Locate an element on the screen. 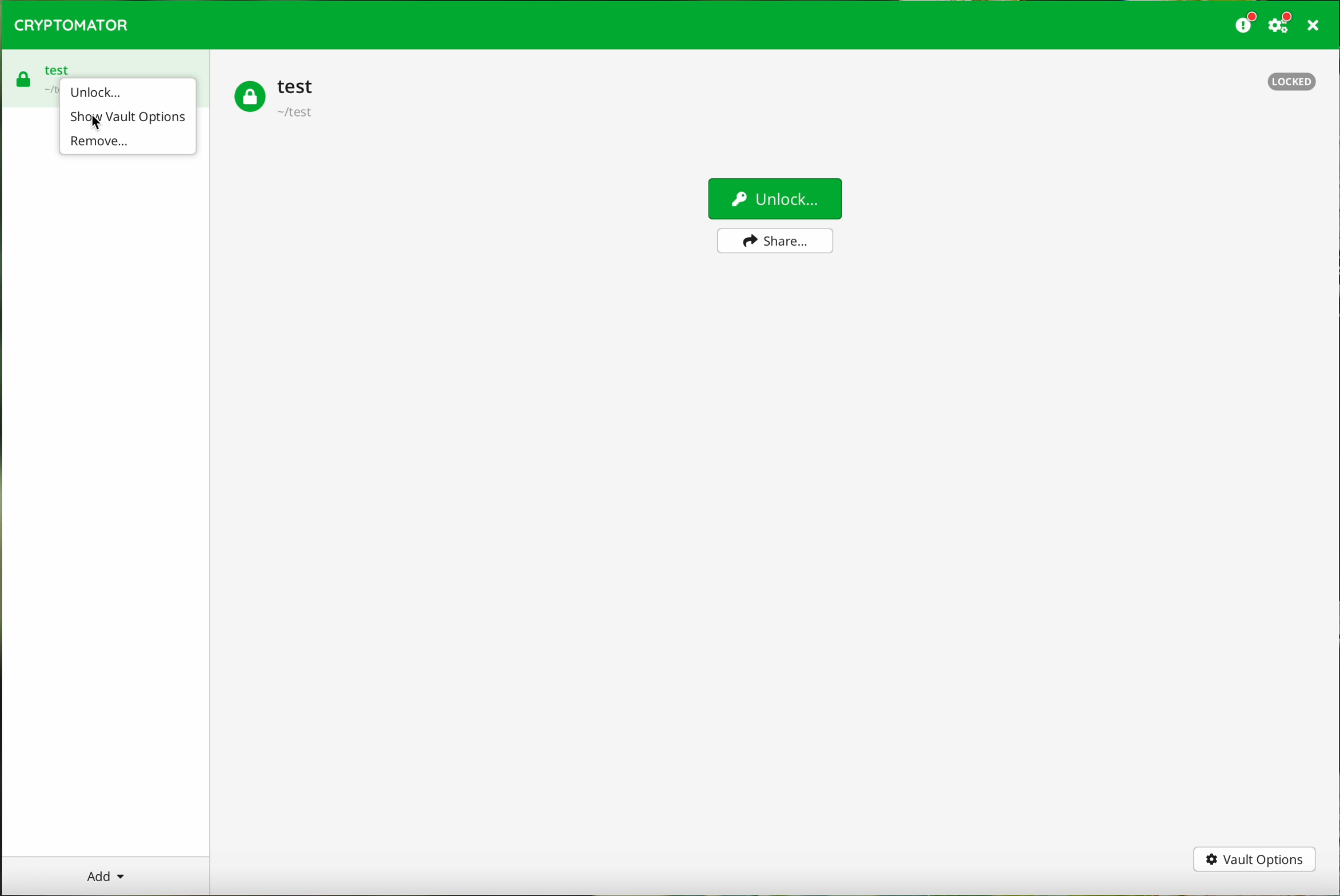 This screenshot has width=1340, height=896. test vault is located at coordinates (275, 99).